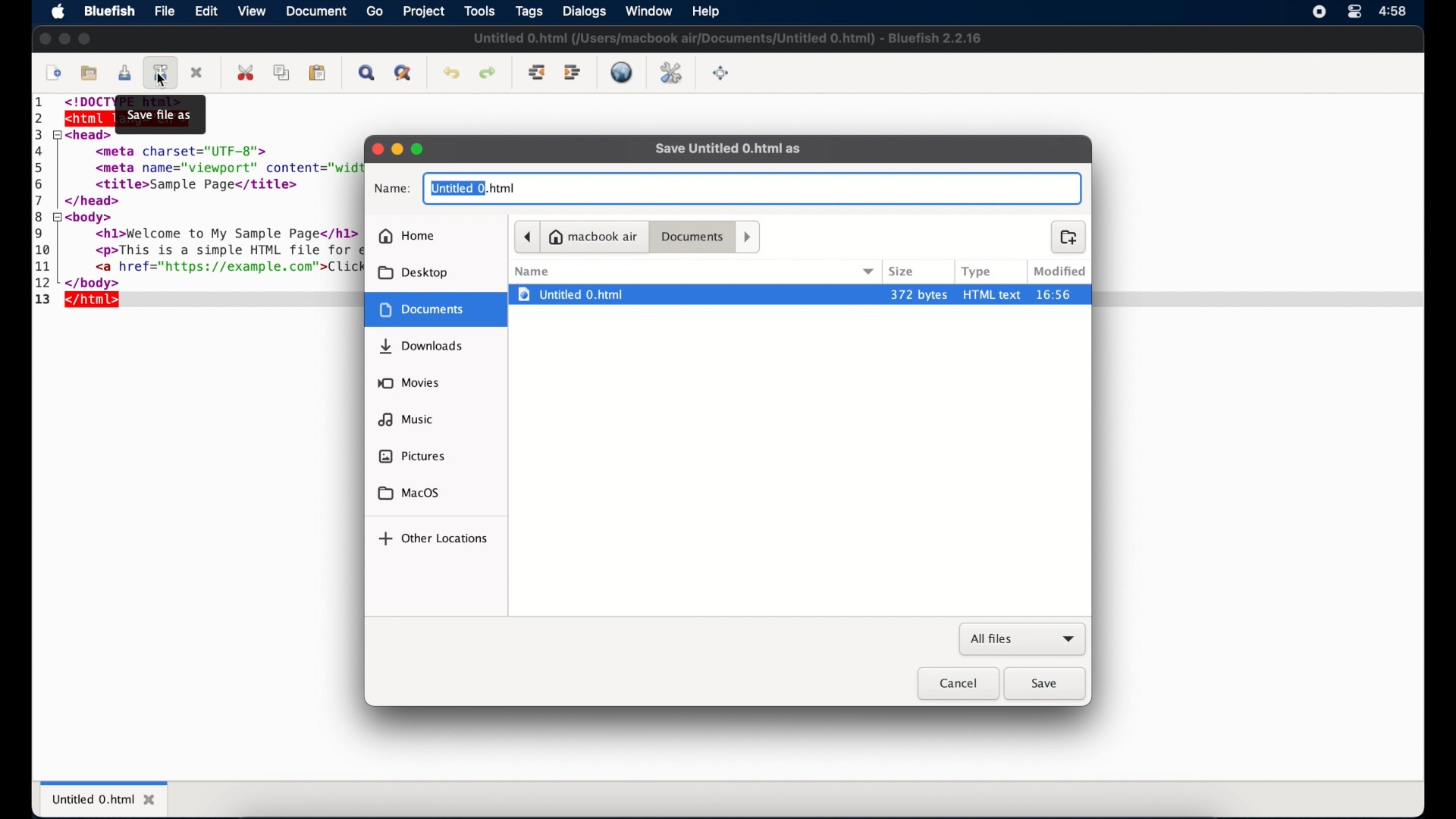 The image size is (1456, 819). I want to click on full screen, so click(721, 74).